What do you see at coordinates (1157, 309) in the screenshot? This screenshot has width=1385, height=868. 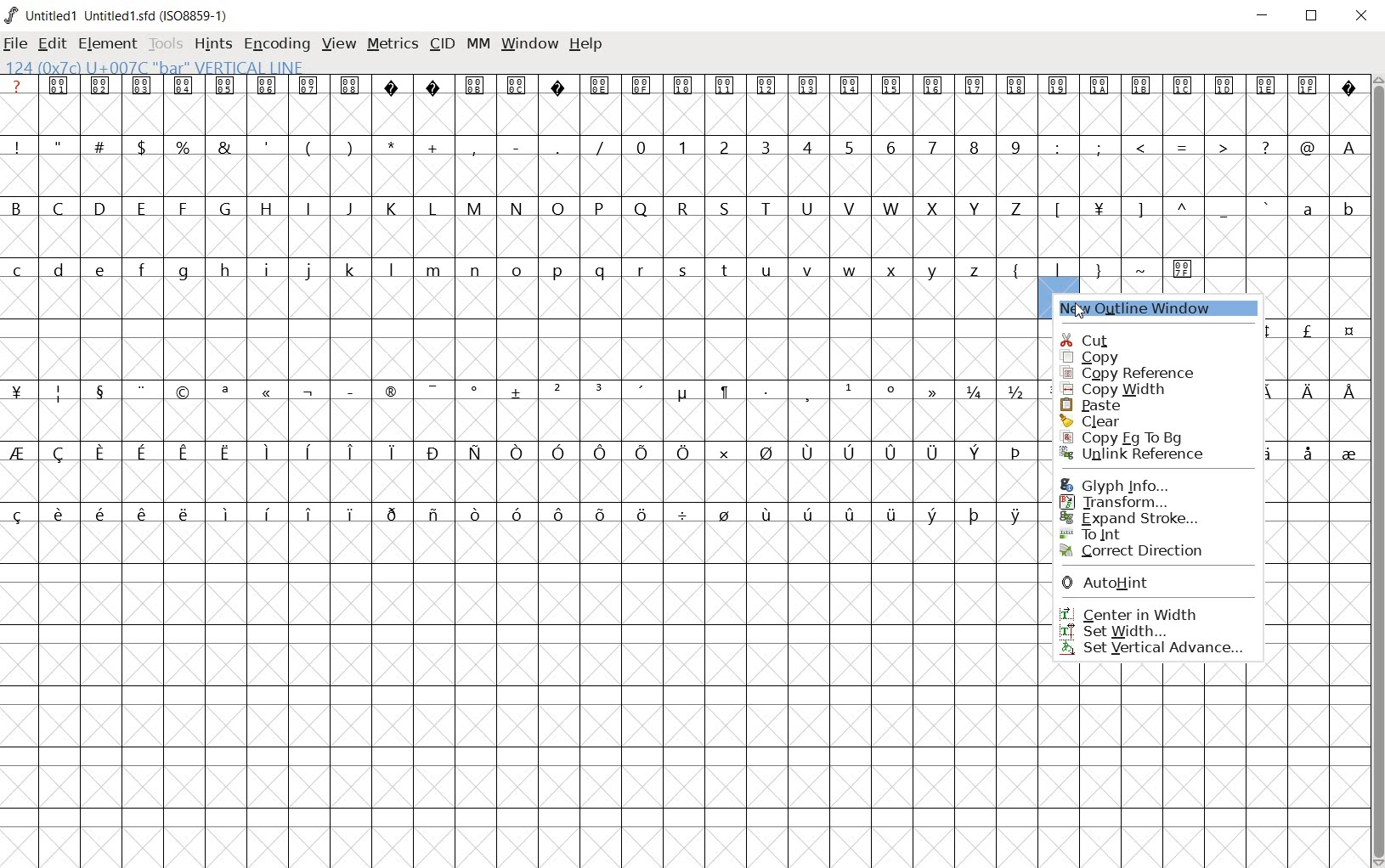 I see `new outline window` at bounding box center [1157, 309].